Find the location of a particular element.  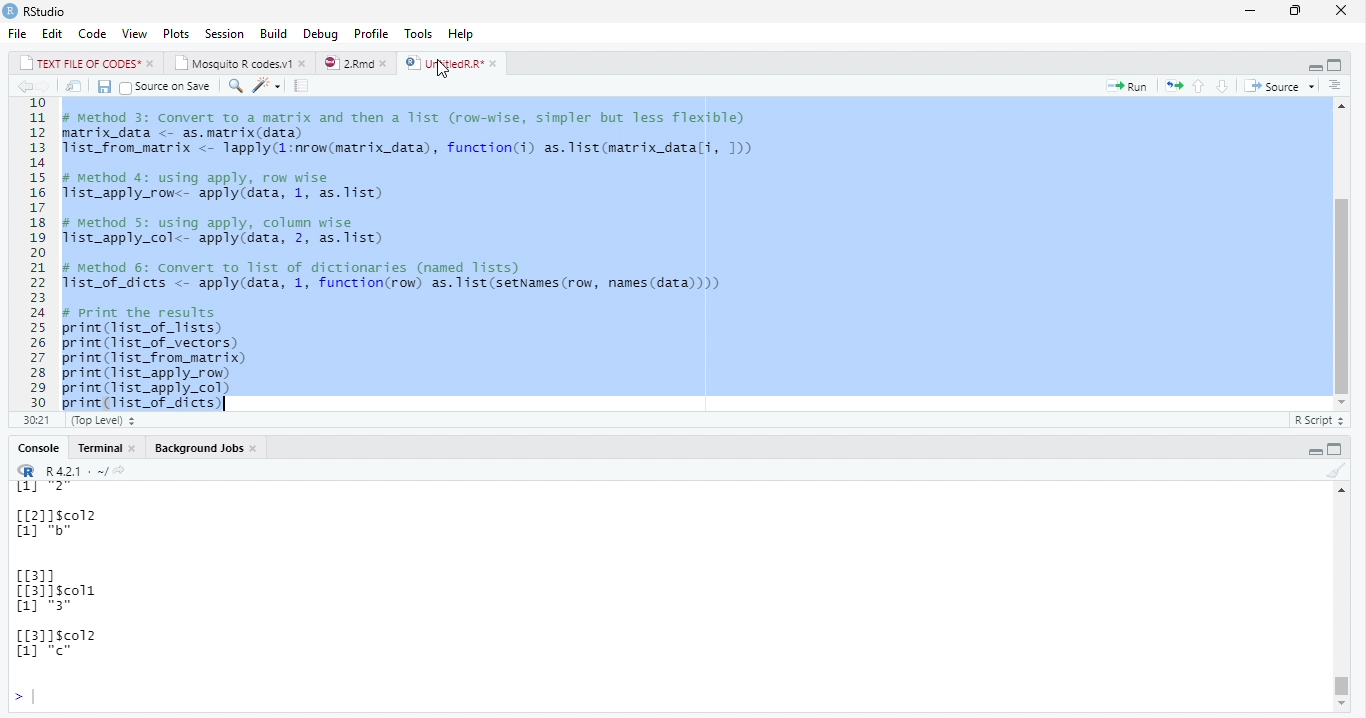

Tools is located at coordinates (421, 33).